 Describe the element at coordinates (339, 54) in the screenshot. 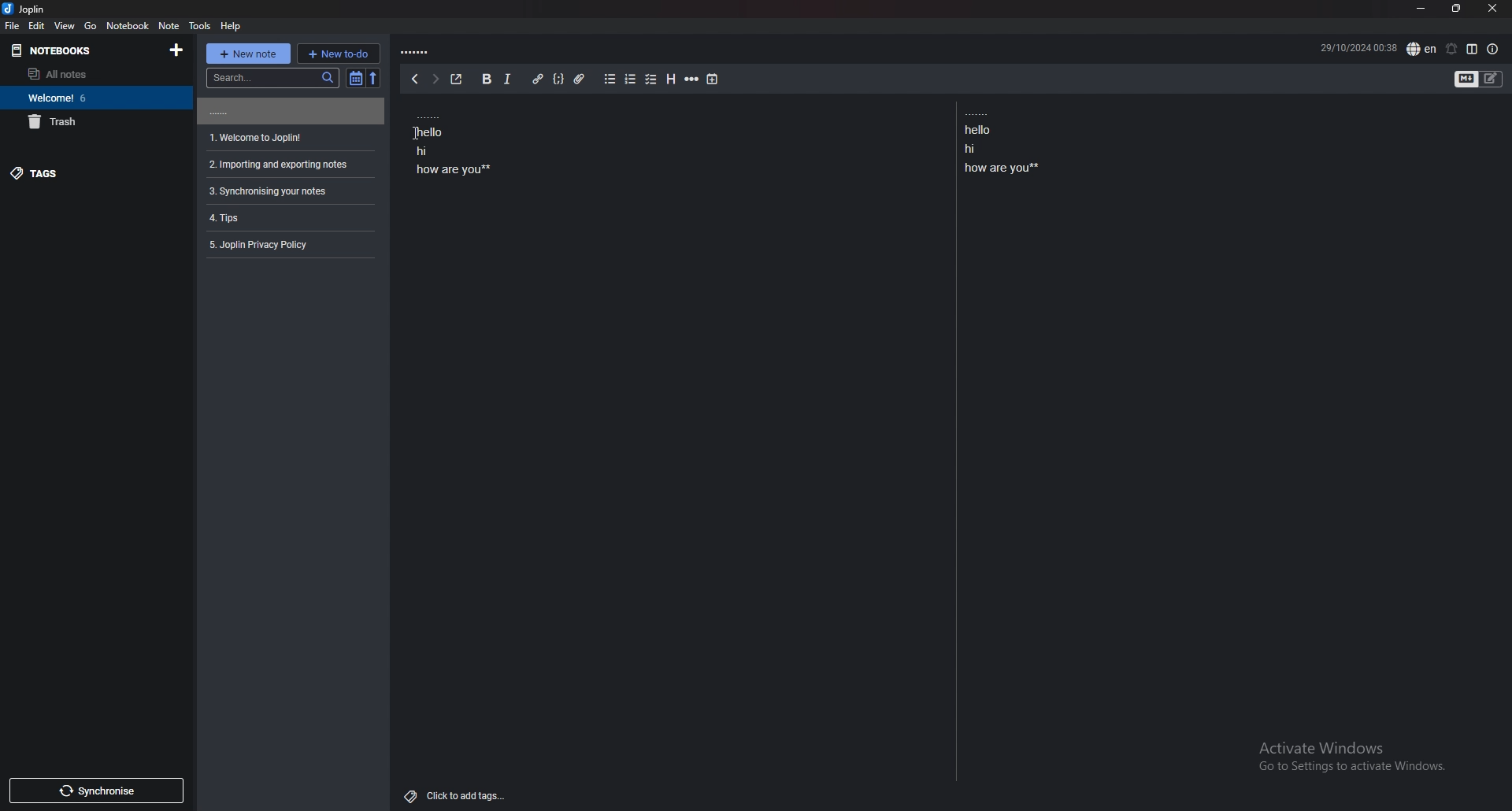

I see `new to do` at that location.